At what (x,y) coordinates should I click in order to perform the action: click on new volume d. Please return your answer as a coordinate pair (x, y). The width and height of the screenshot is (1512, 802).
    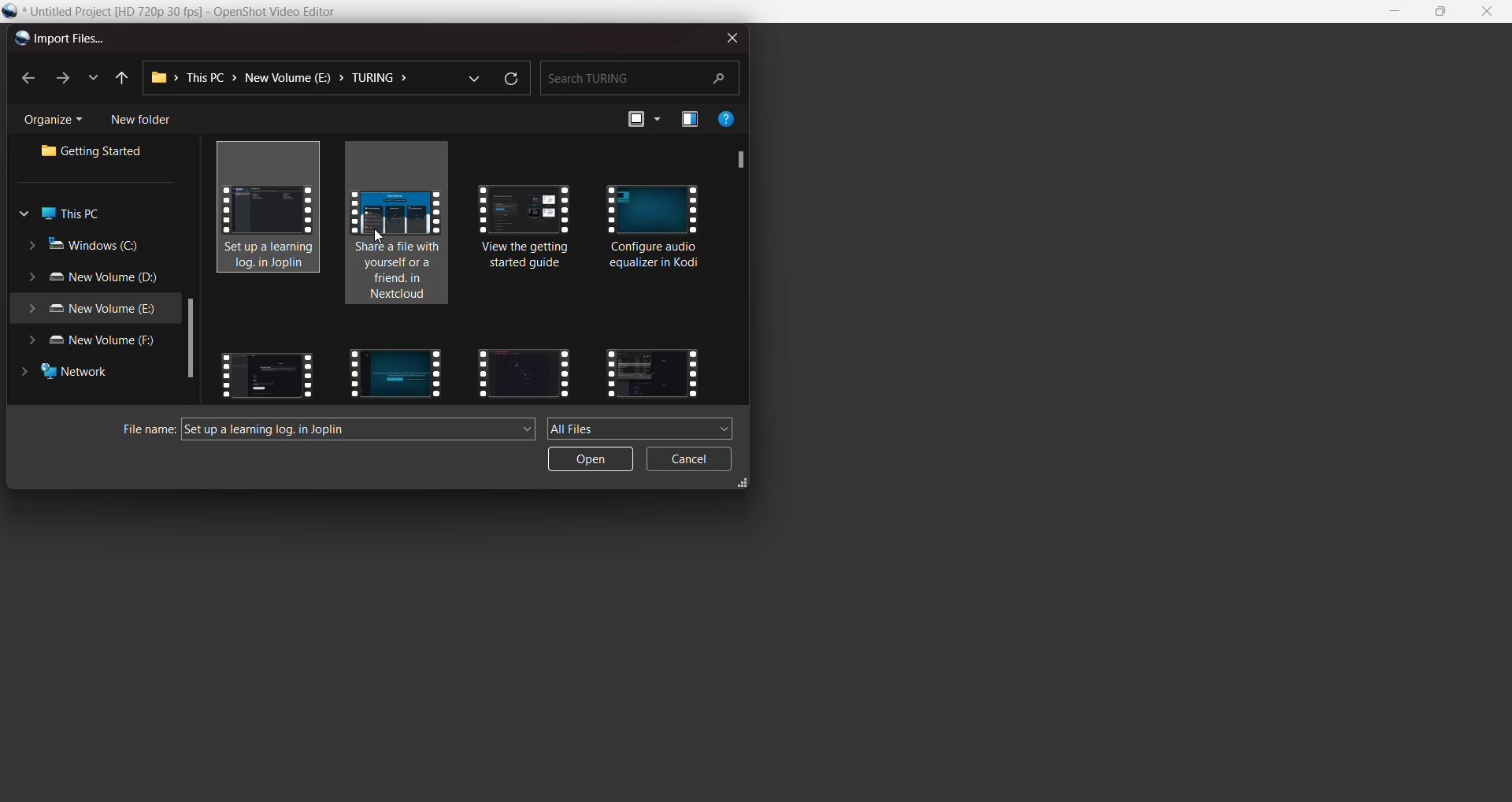
    Looking at the image, I should click on (97, 279).